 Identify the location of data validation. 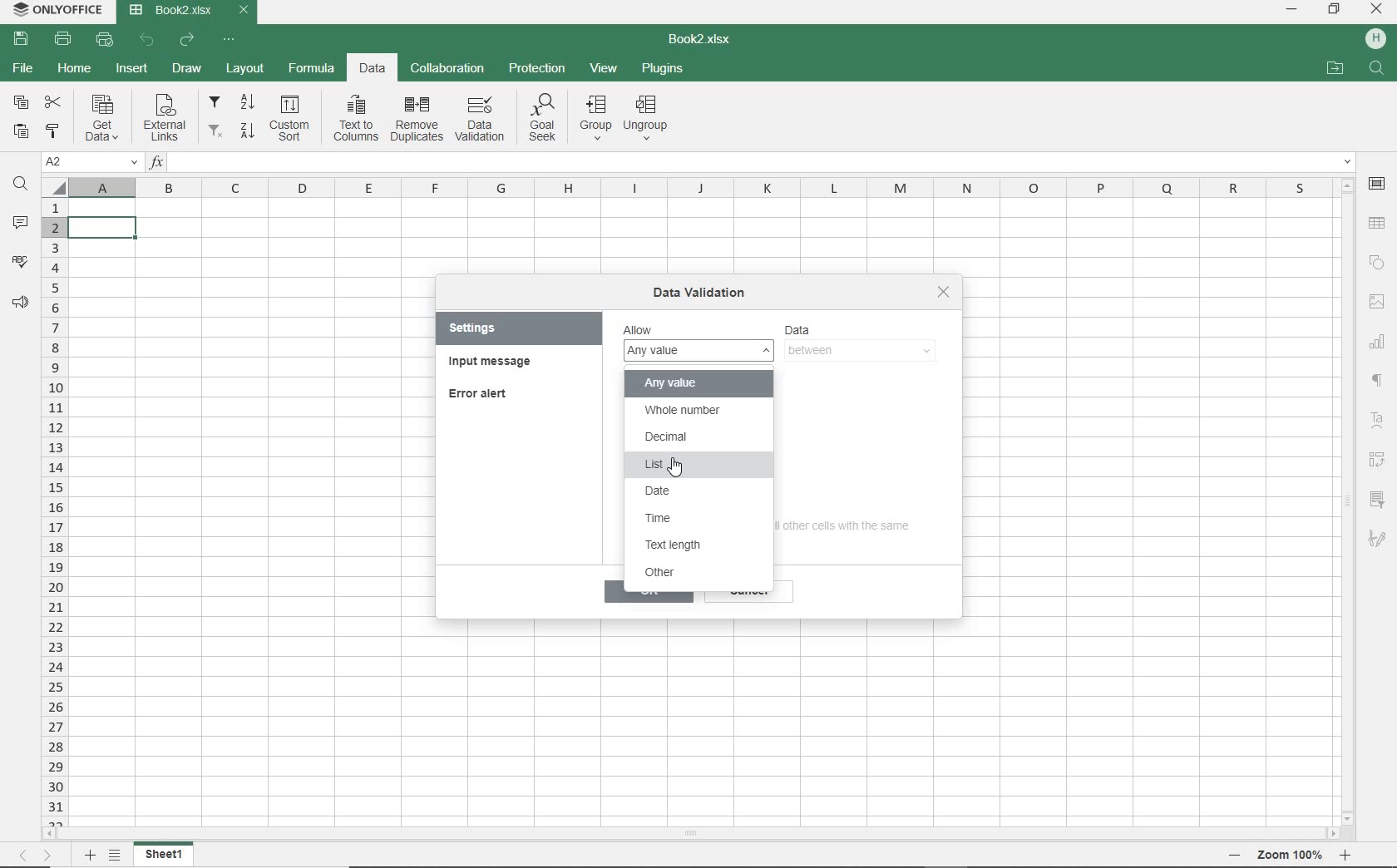
(703, 290).